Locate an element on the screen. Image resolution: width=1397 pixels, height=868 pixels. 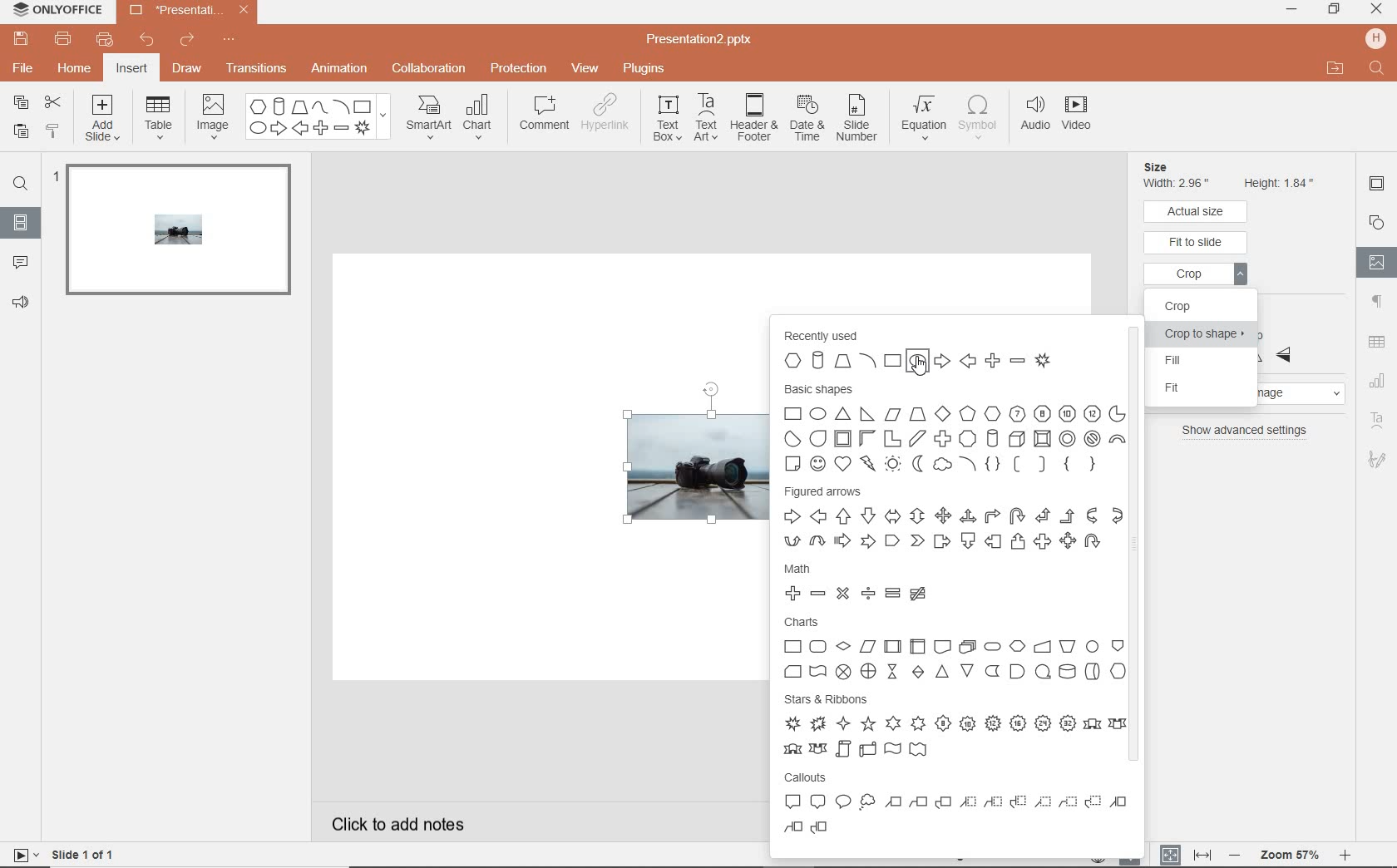
slides is located at coordinates (20, 223).